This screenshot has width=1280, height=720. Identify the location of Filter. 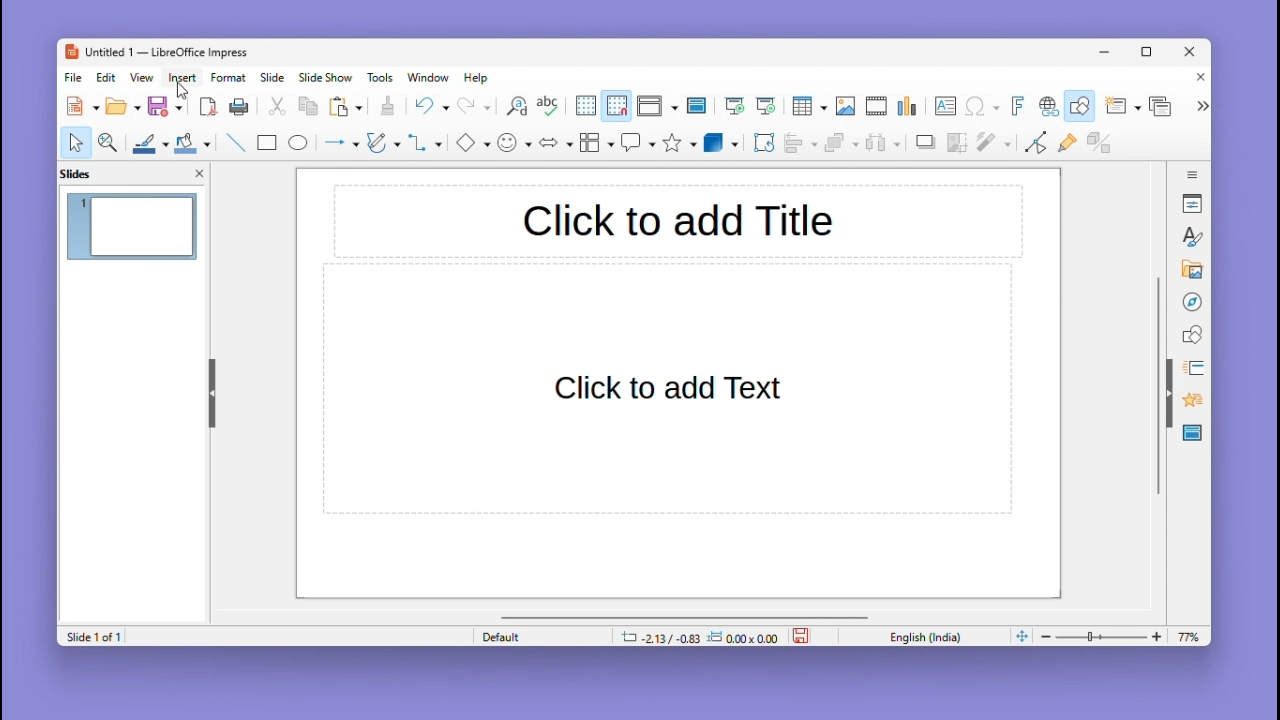
(992, 148).